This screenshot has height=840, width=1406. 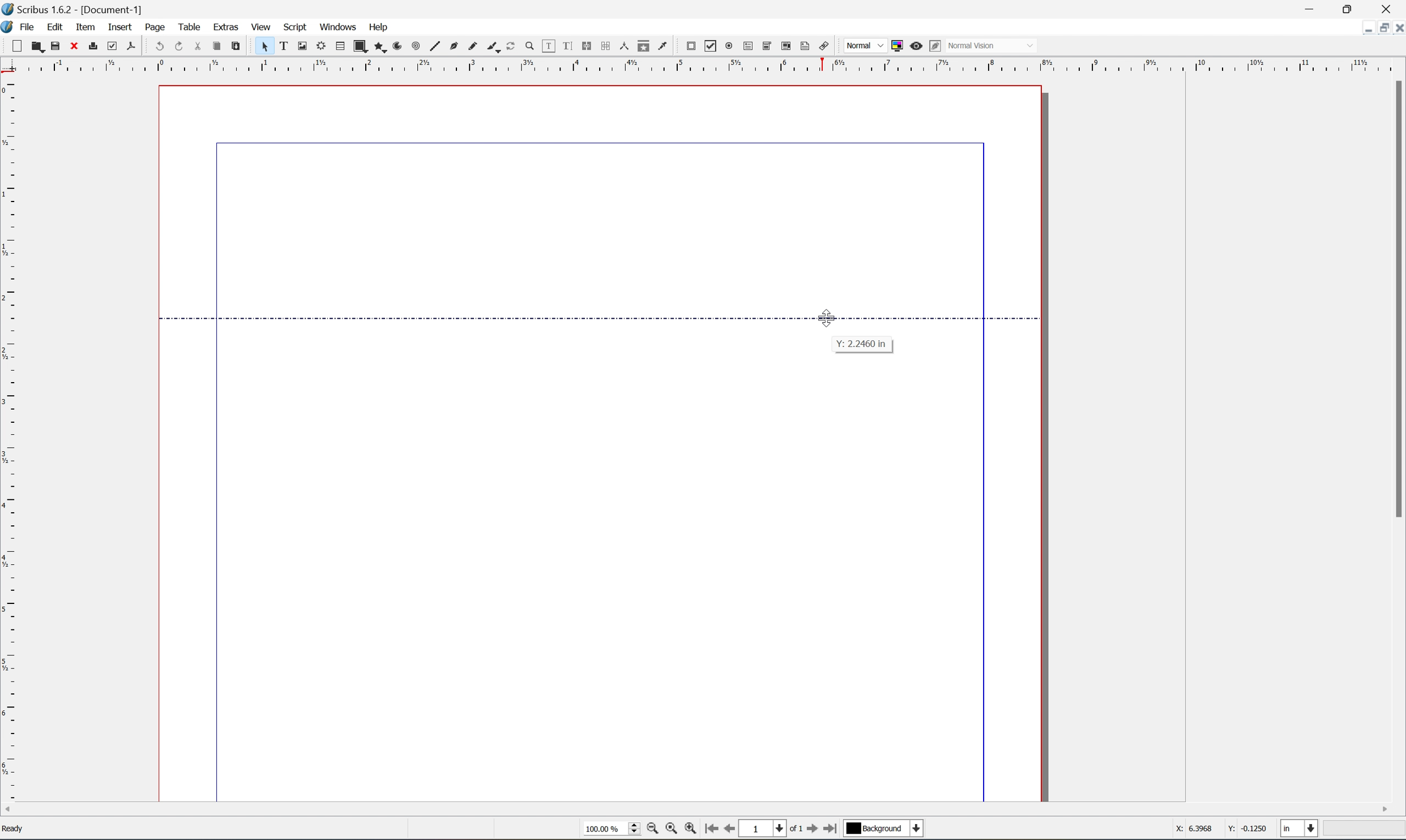 What do you see at coordinates (645, 48) in the screenshot?
I see `copy item annotation` at bounding box center [645, 48].